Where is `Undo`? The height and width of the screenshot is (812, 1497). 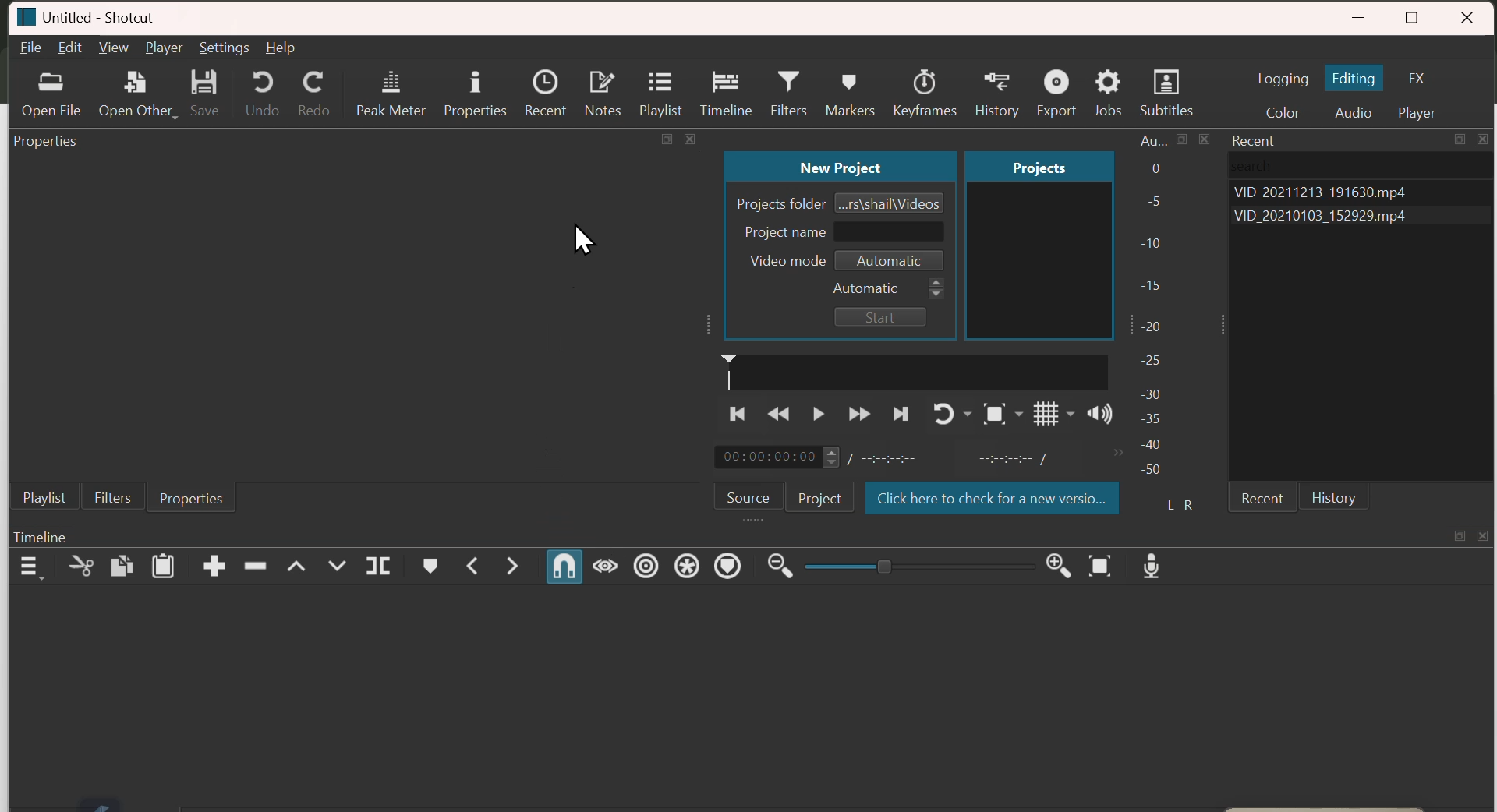
Undo is located at coordinates (255, 88).